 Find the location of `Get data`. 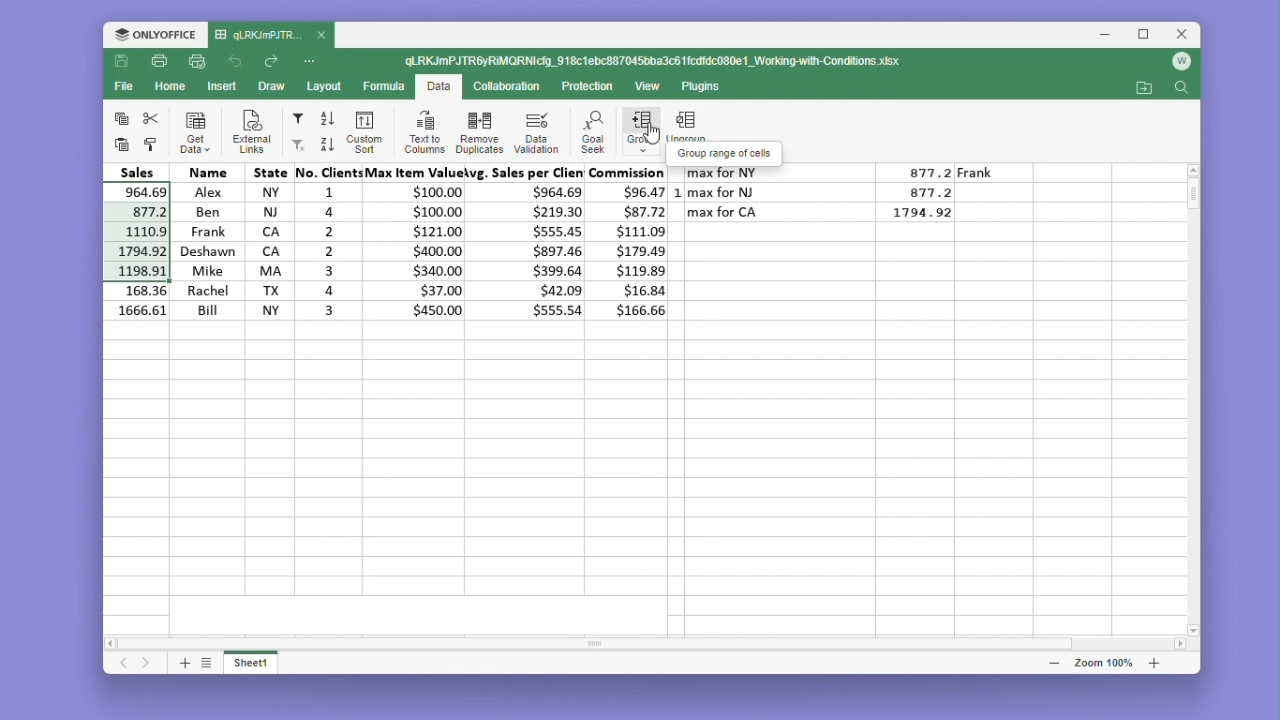

Get data is located at coordinates (196, 132).